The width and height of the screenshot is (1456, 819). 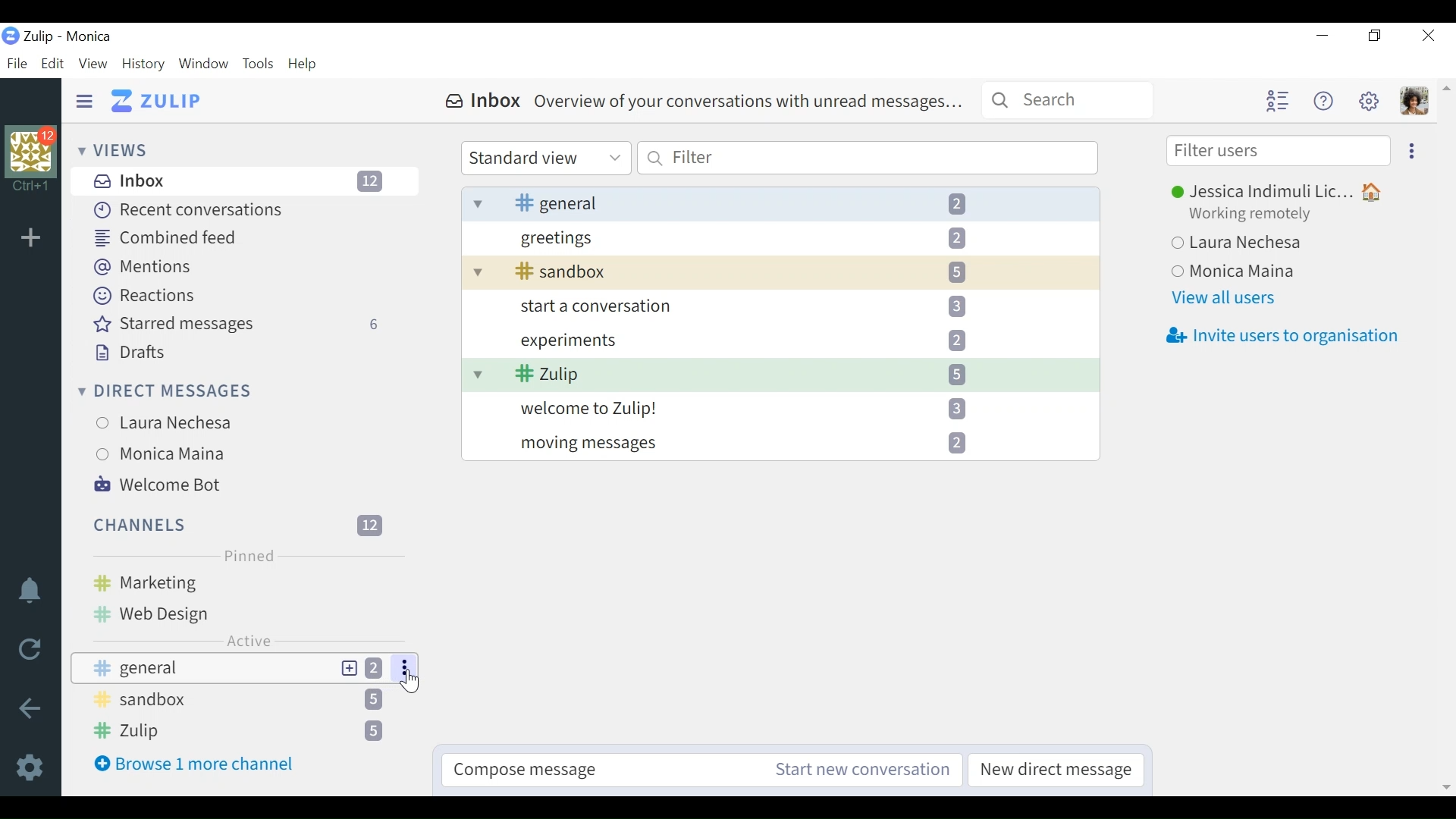 What do you see at coordinates (51, 64) in the screenshot?
I see `Edit` at bounding box center [51, 64].